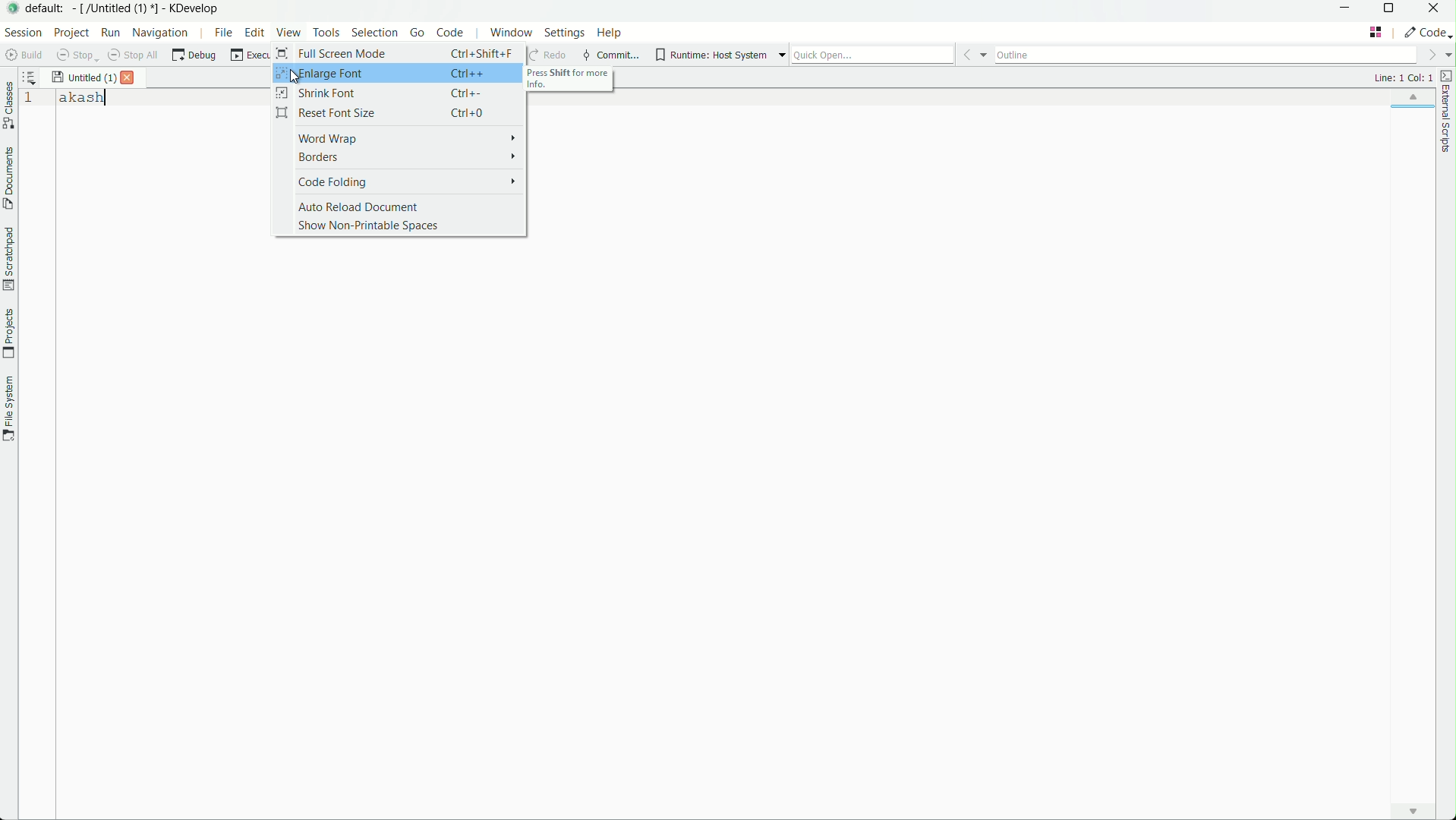  What do you see at coordinates (1439, 9) in the screenshot?
I see `close app` at bounding box center [1439, 9].